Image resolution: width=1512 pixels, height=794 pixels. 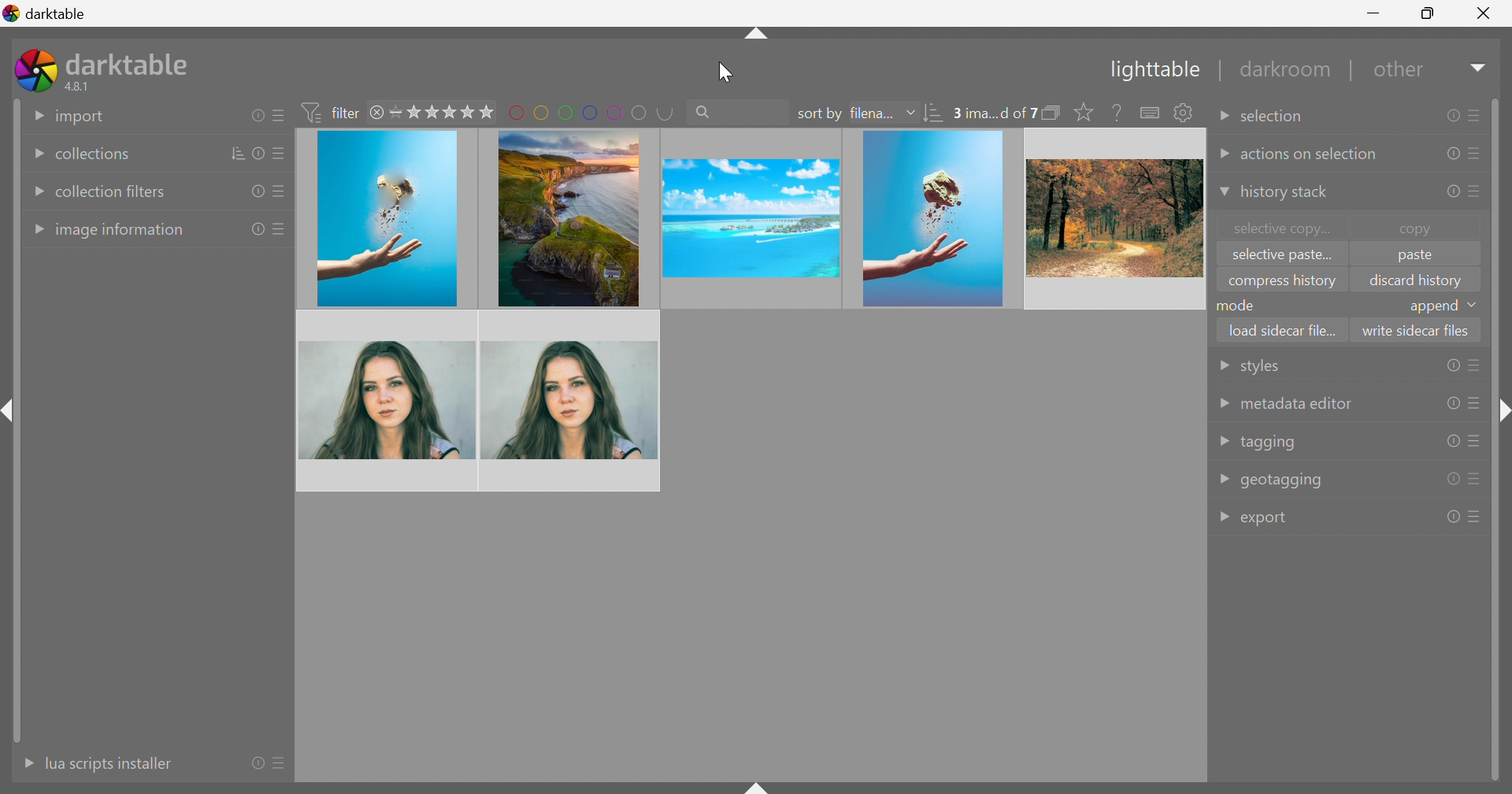 I want to click on mode, so click(x=1240, y=305).